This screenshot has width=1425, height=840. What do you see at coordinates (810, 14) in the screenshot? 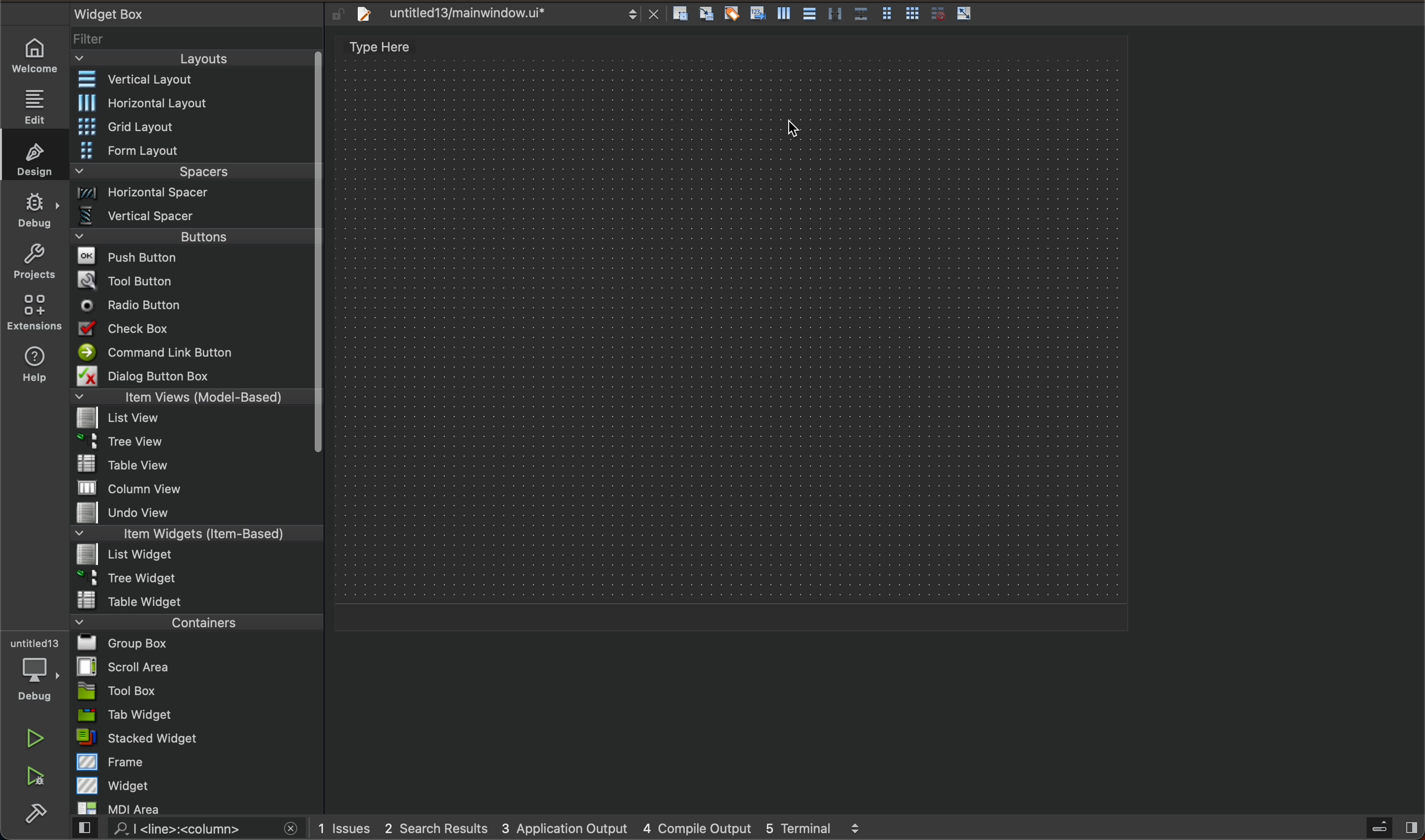
I see `Horizontal` at bounding box center [810, 14].